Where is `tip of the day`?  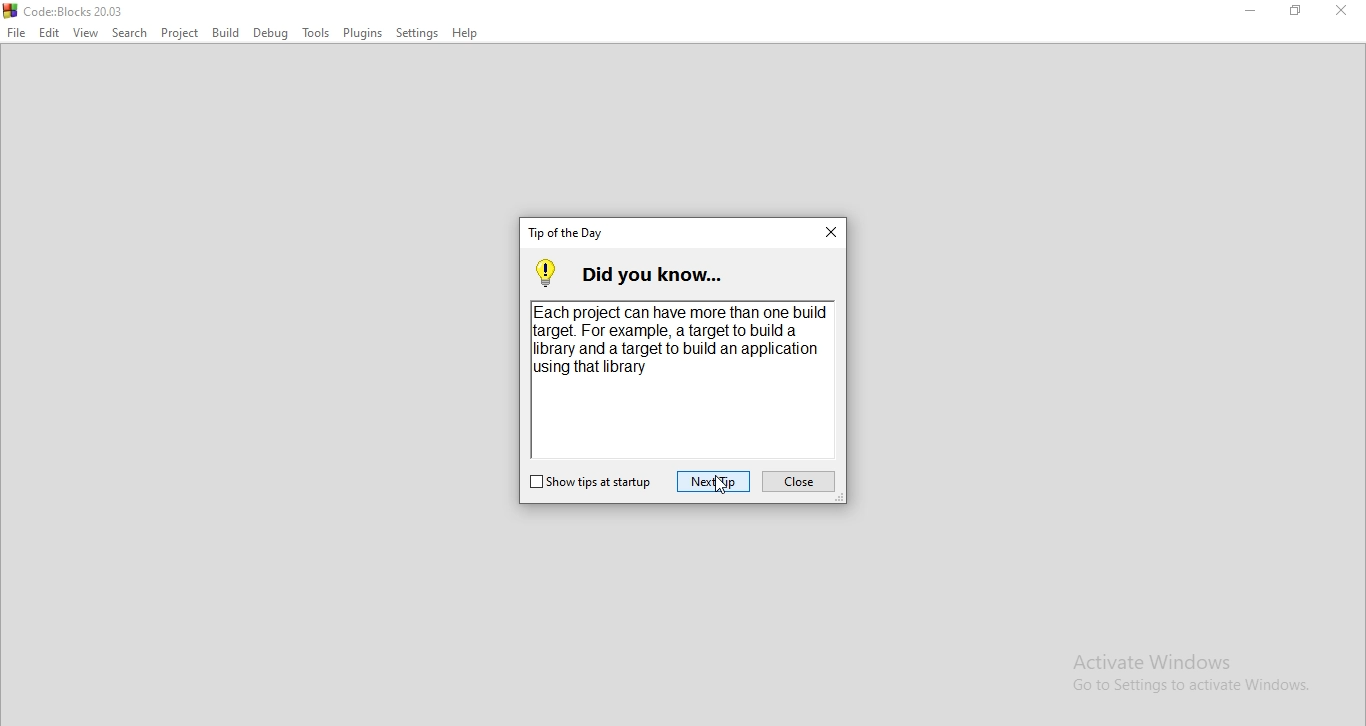 tip of the day is located at coordinates (565, 233).